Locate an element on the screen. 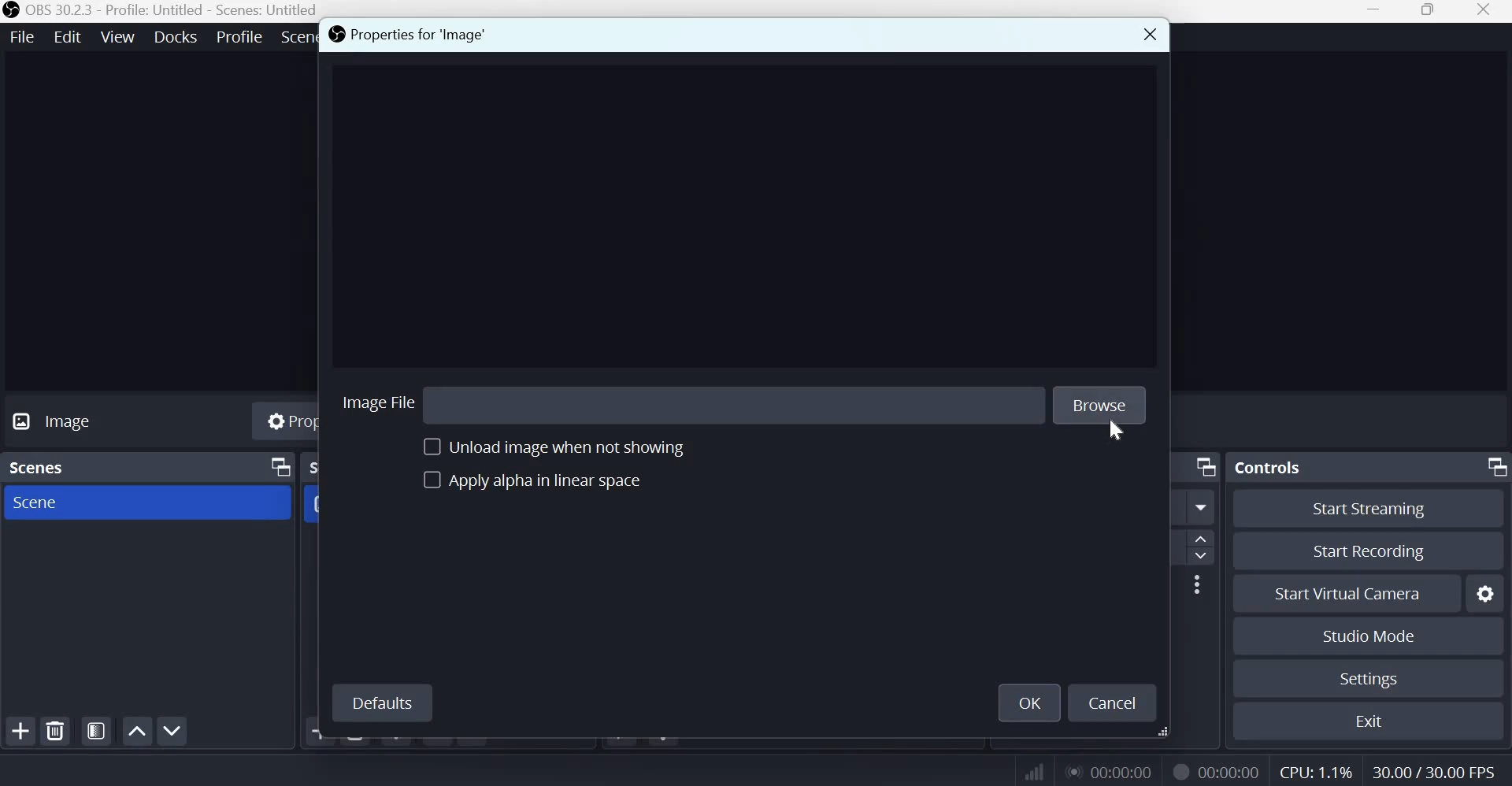 The image size is (1512, 786). Defaults is located at coordinates (381, 704).